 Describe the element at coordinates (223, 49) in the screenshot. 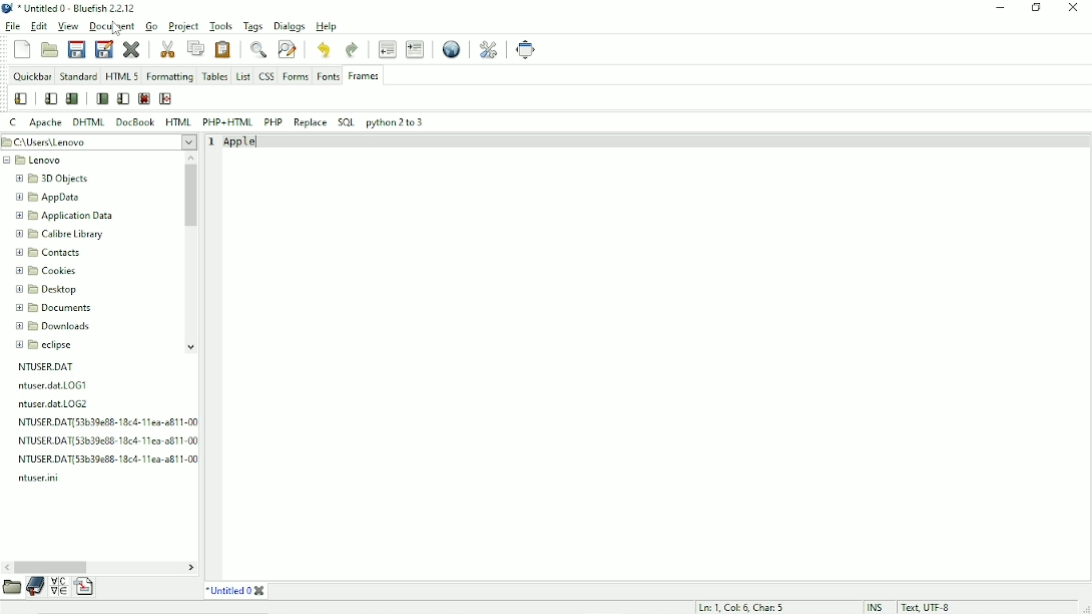

I see `Paste` at that location.